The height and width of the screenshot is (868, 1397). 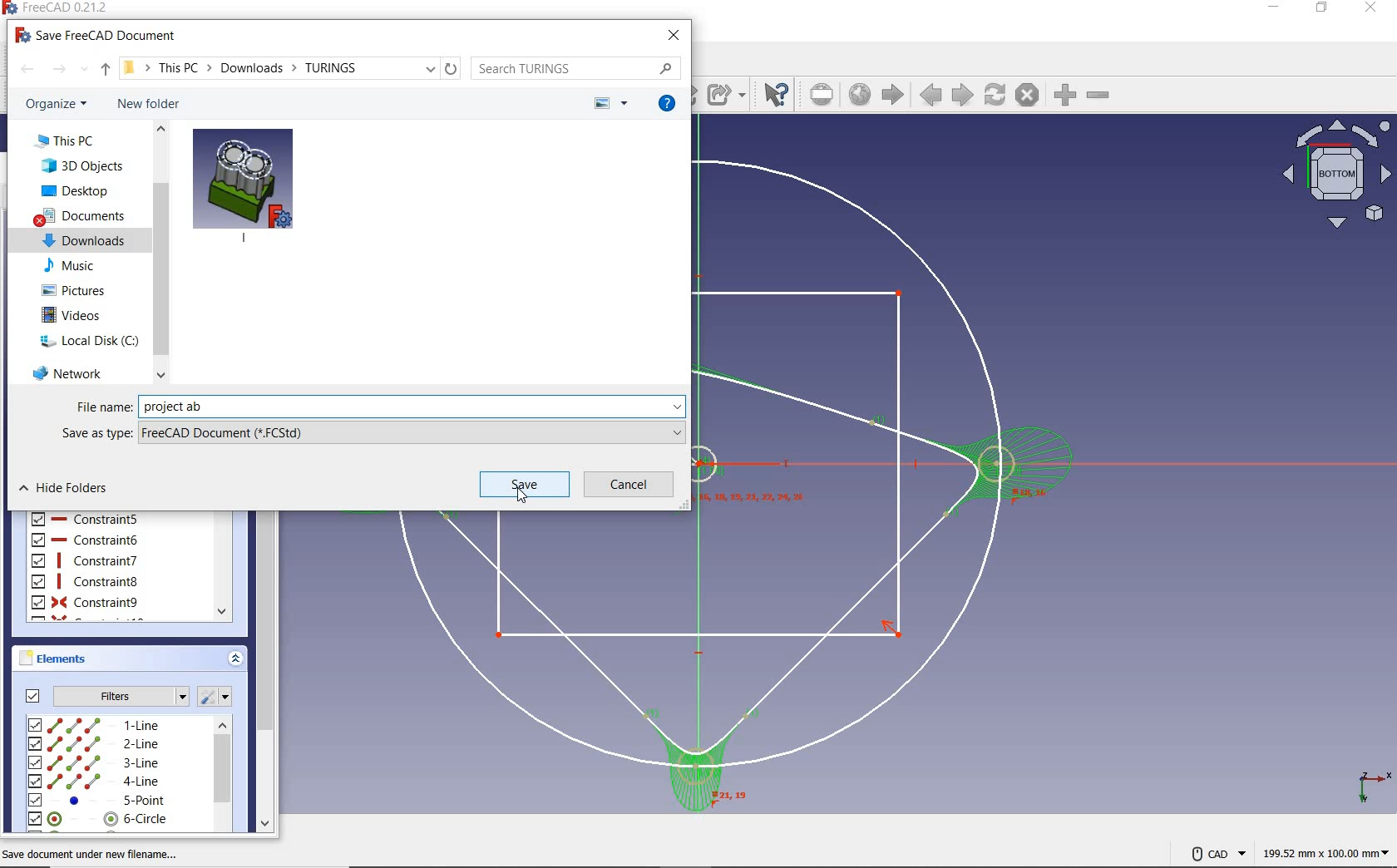 I want to click on zoom in, so click(x=1064, y=96).